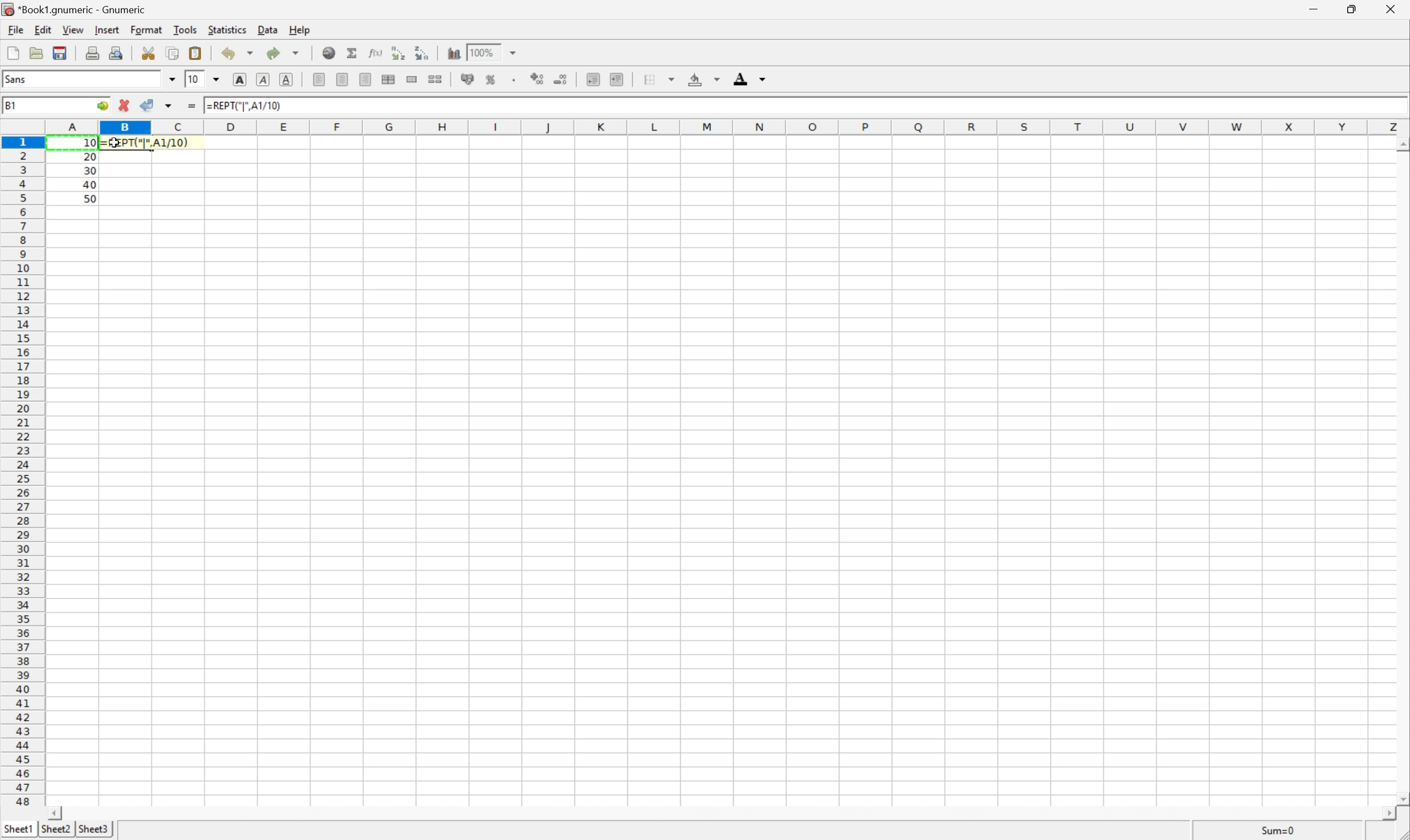 Image resolution: width=1410 pixels, height=840 pixels. Describe the element at coordinates (18, 831) in the screenshot. I see `Sheet1` at that location.